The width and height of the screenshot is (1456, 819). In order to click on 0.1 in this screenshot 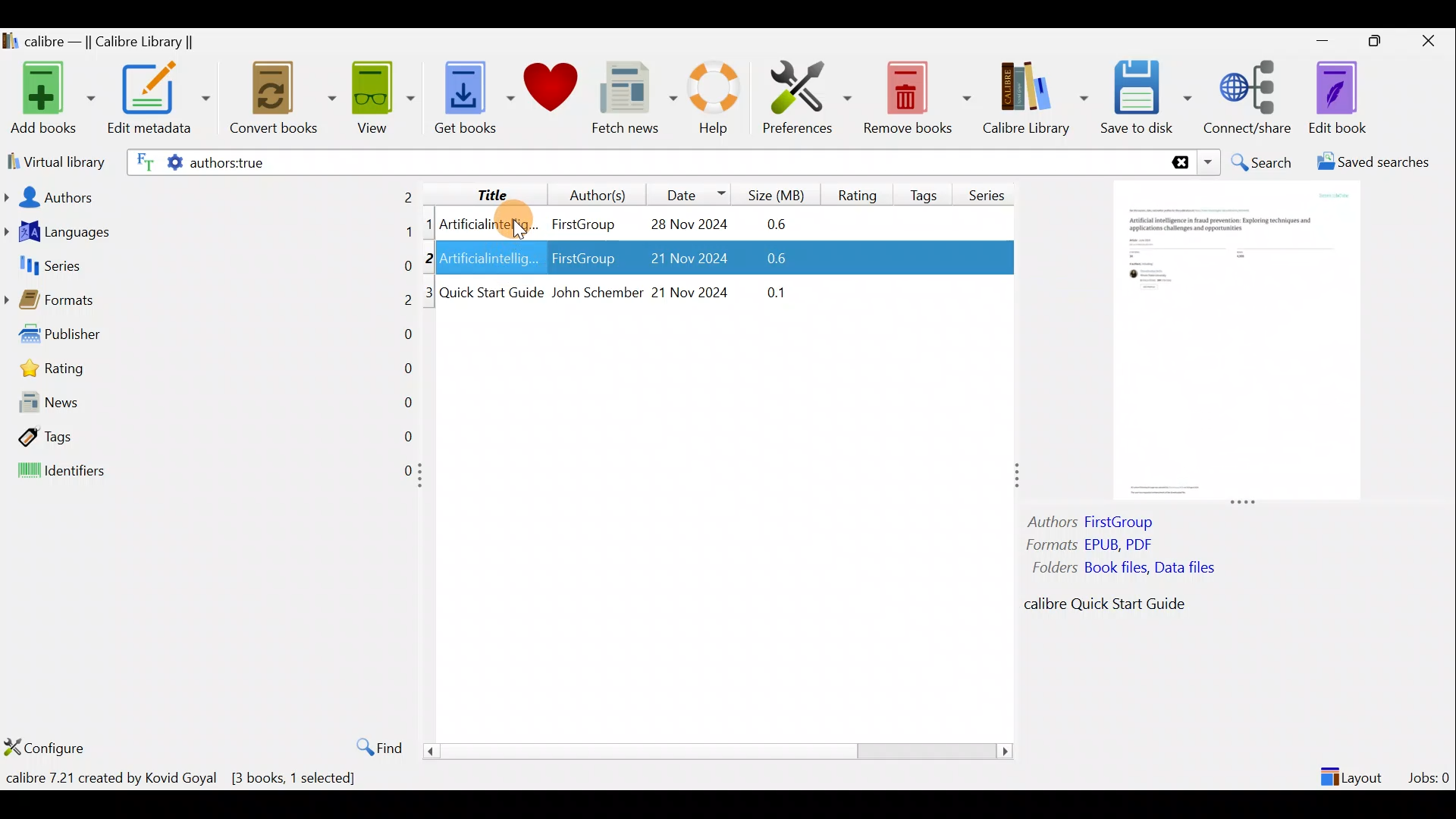, I will do `click(768, 290)`.